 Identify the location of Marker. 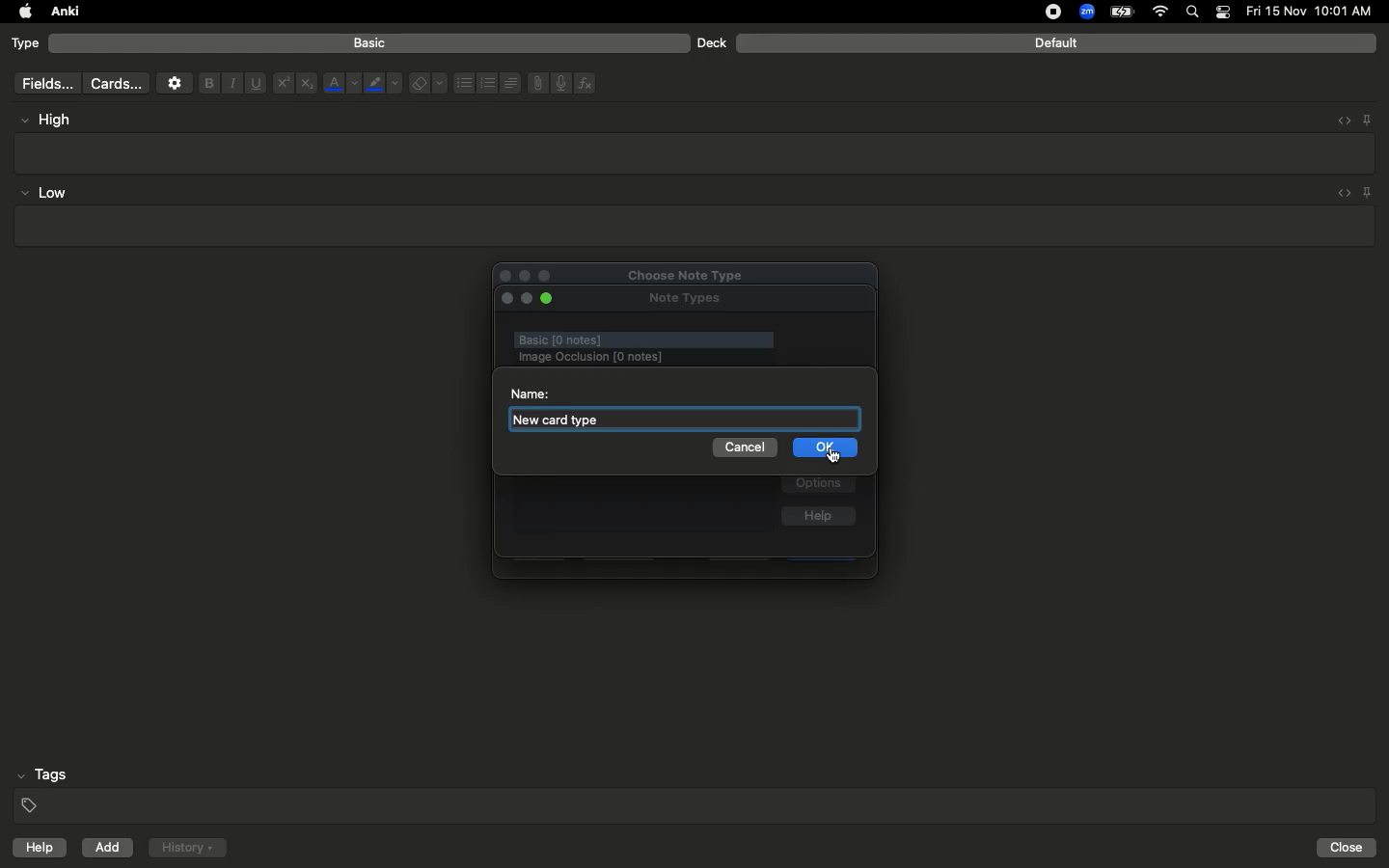
(383, 85).